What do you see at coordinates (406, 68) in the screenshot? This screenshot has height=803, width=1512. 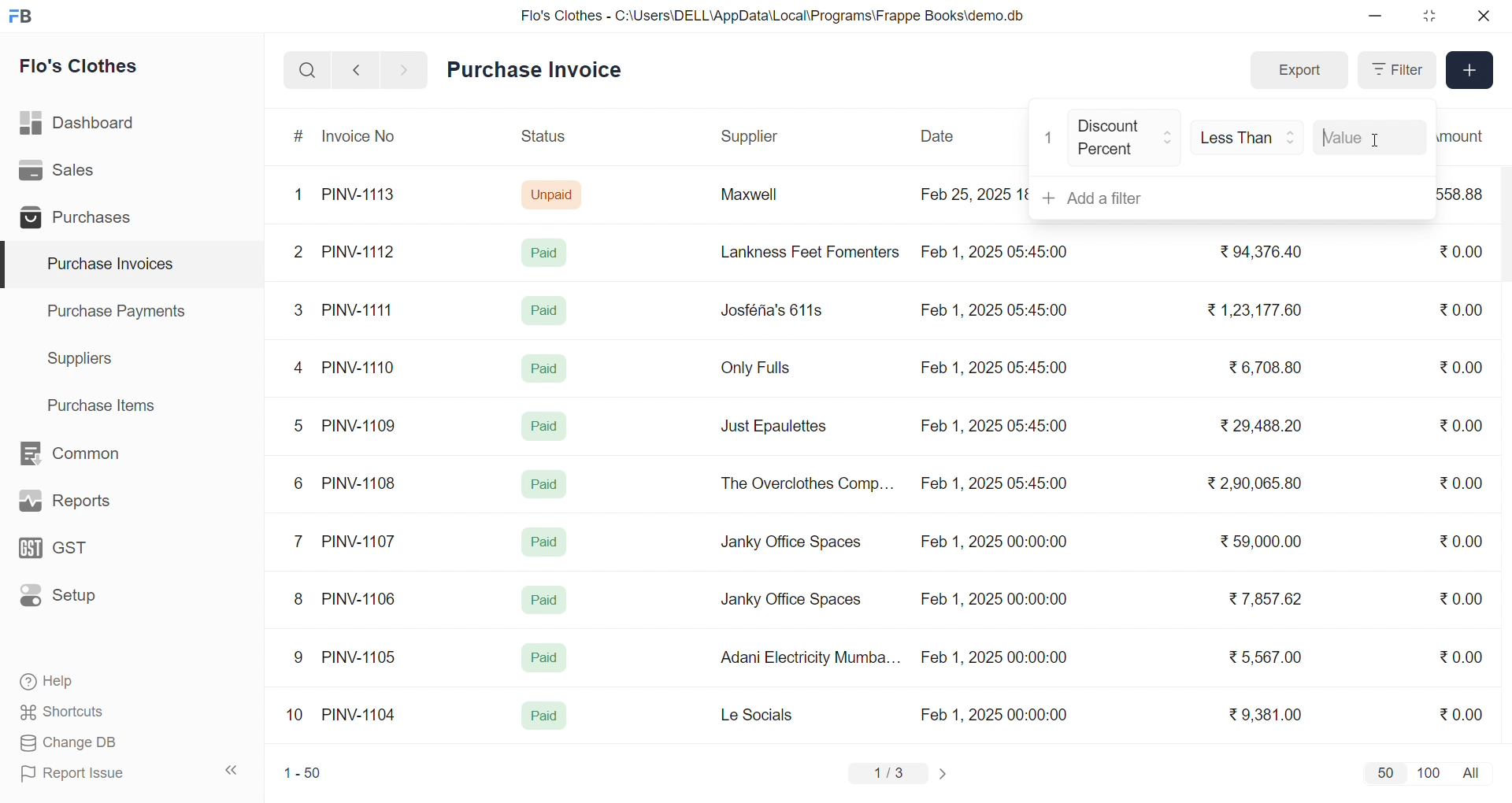 I see `navigate forward` at bounding box center [406, 68].